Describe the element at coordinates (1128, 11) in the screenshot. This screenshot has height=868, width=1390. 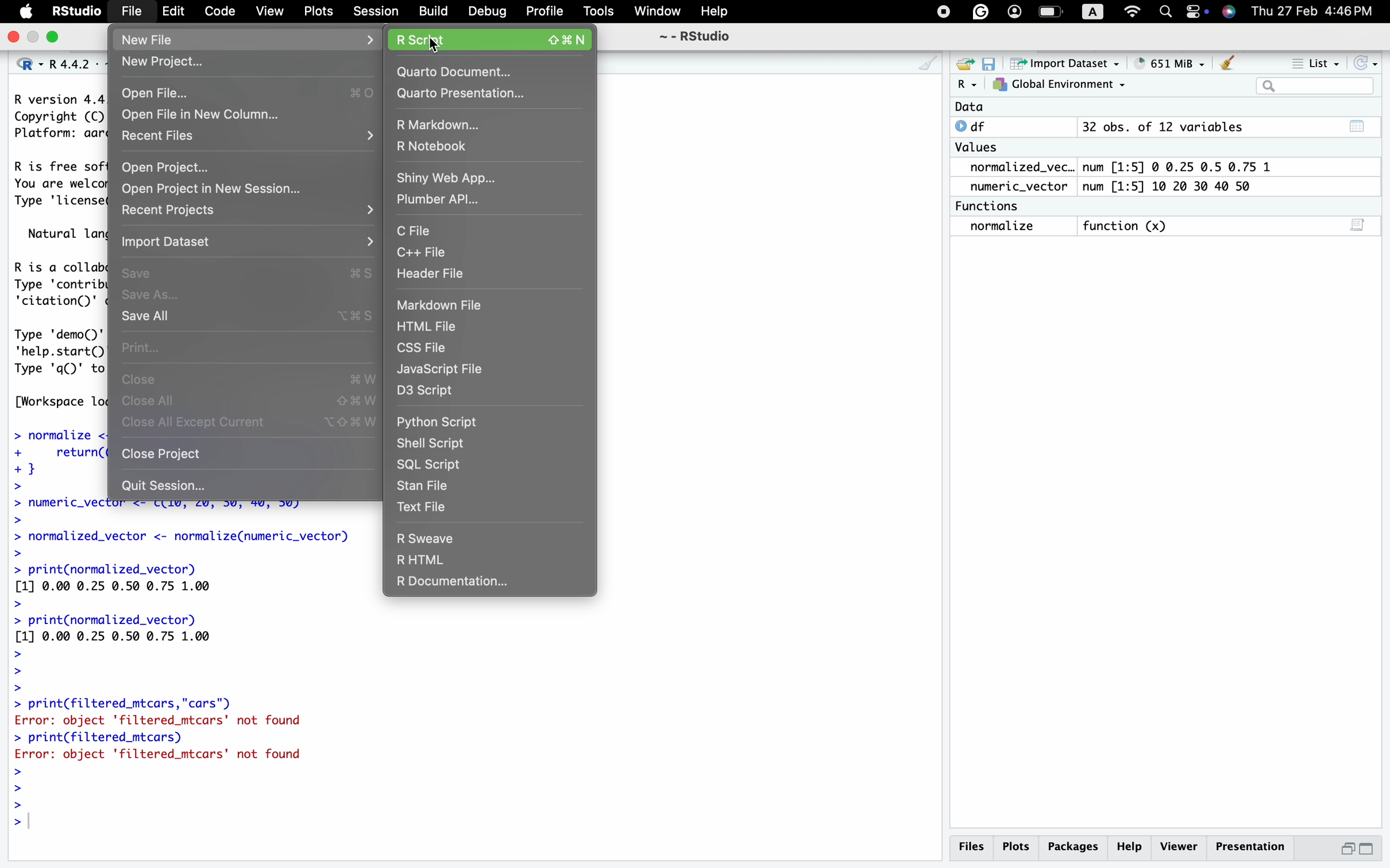
I see `Wifi` at that location.